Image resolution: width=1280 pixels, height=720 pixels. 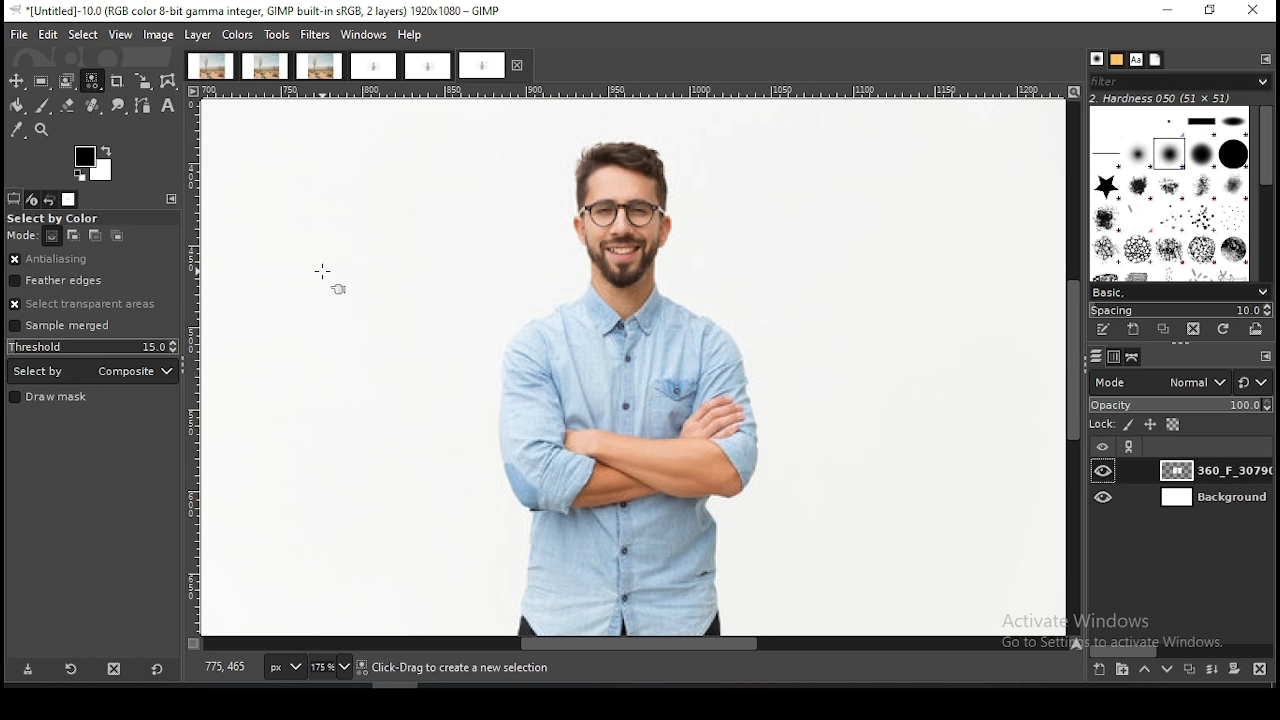 What do you see at coordinates (87, 304) in the screenshot?
I see `select transparent areas` at bounding box center [87, 304].